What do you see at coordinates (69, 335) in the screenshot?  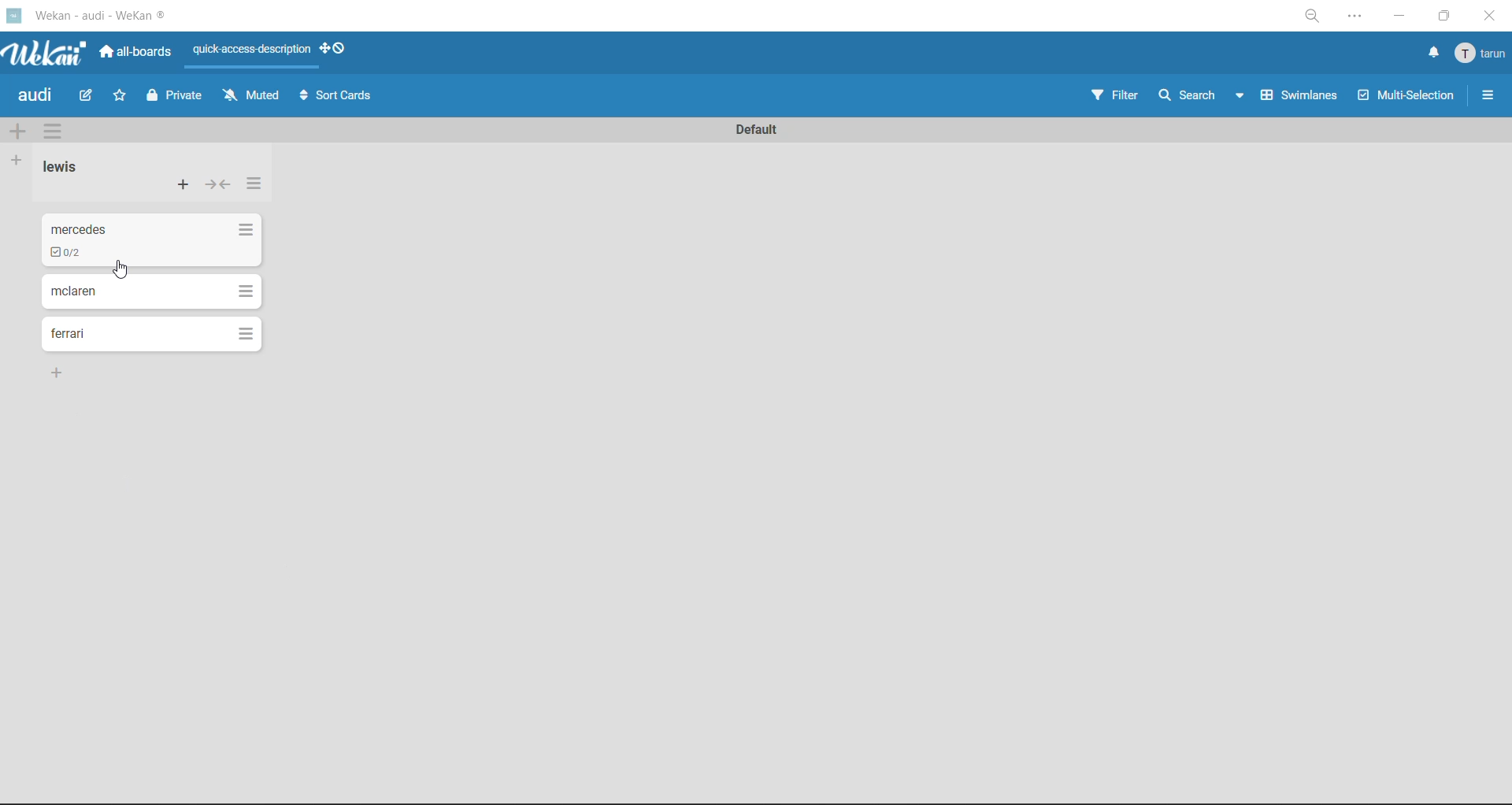 I see `ferari` at bounding box center [69, 335].